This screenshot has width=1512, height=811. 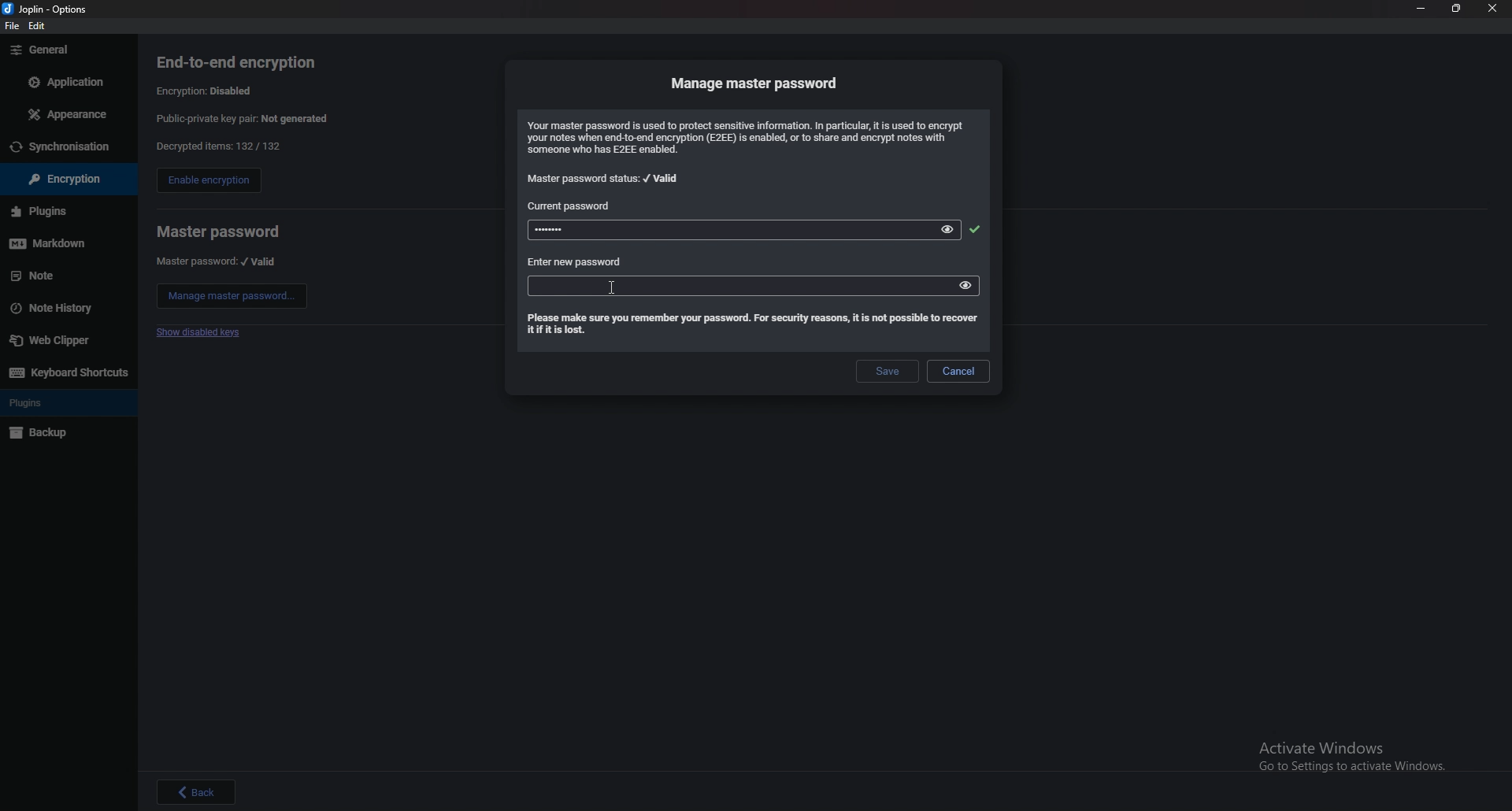 What do you see at coordinates (209, 90) in the screenshot?
I see `encryption` at bounding box center [209, 90].